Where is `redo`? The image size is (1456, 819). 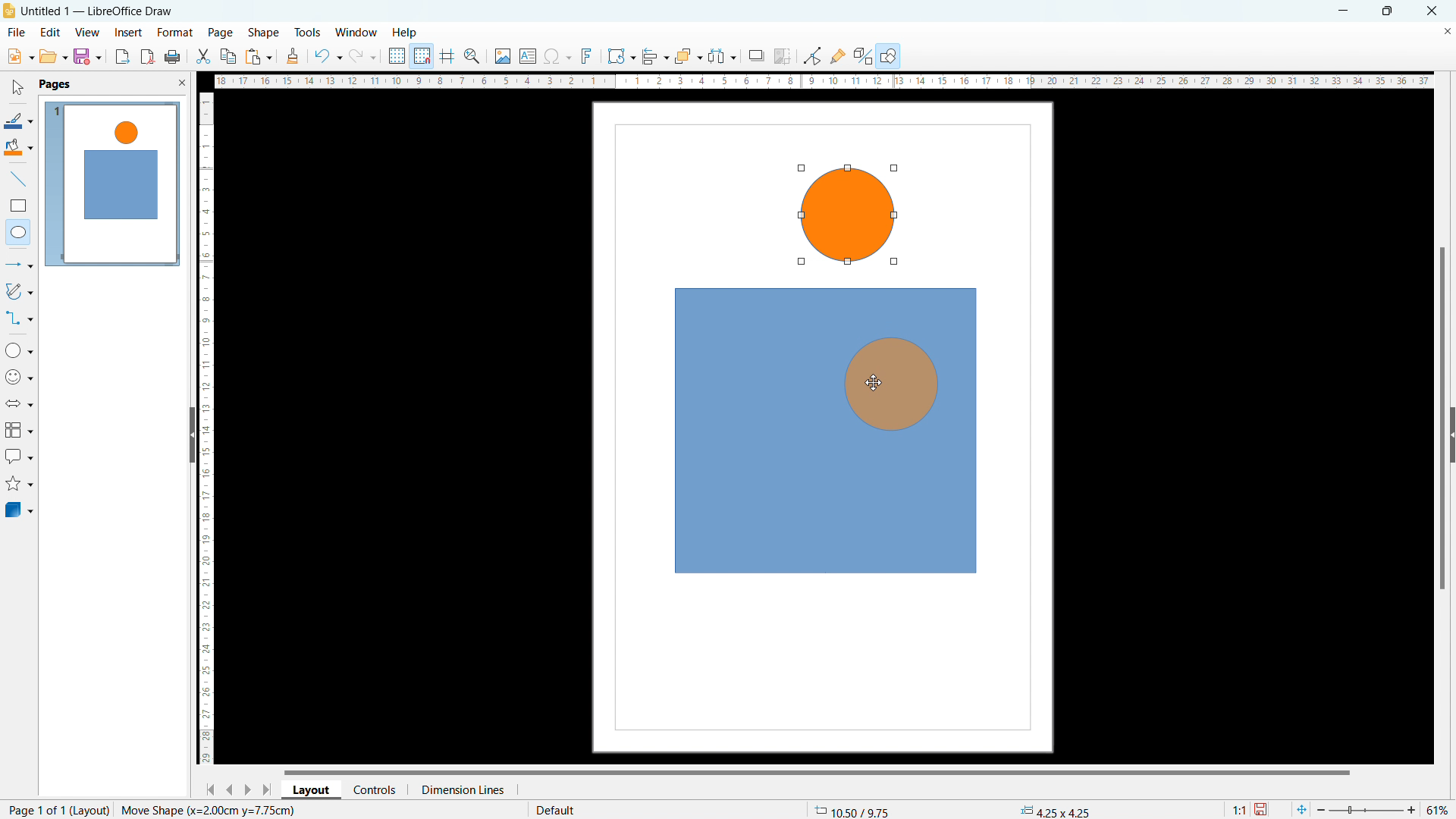 redo is located at coordinates (362, 57).